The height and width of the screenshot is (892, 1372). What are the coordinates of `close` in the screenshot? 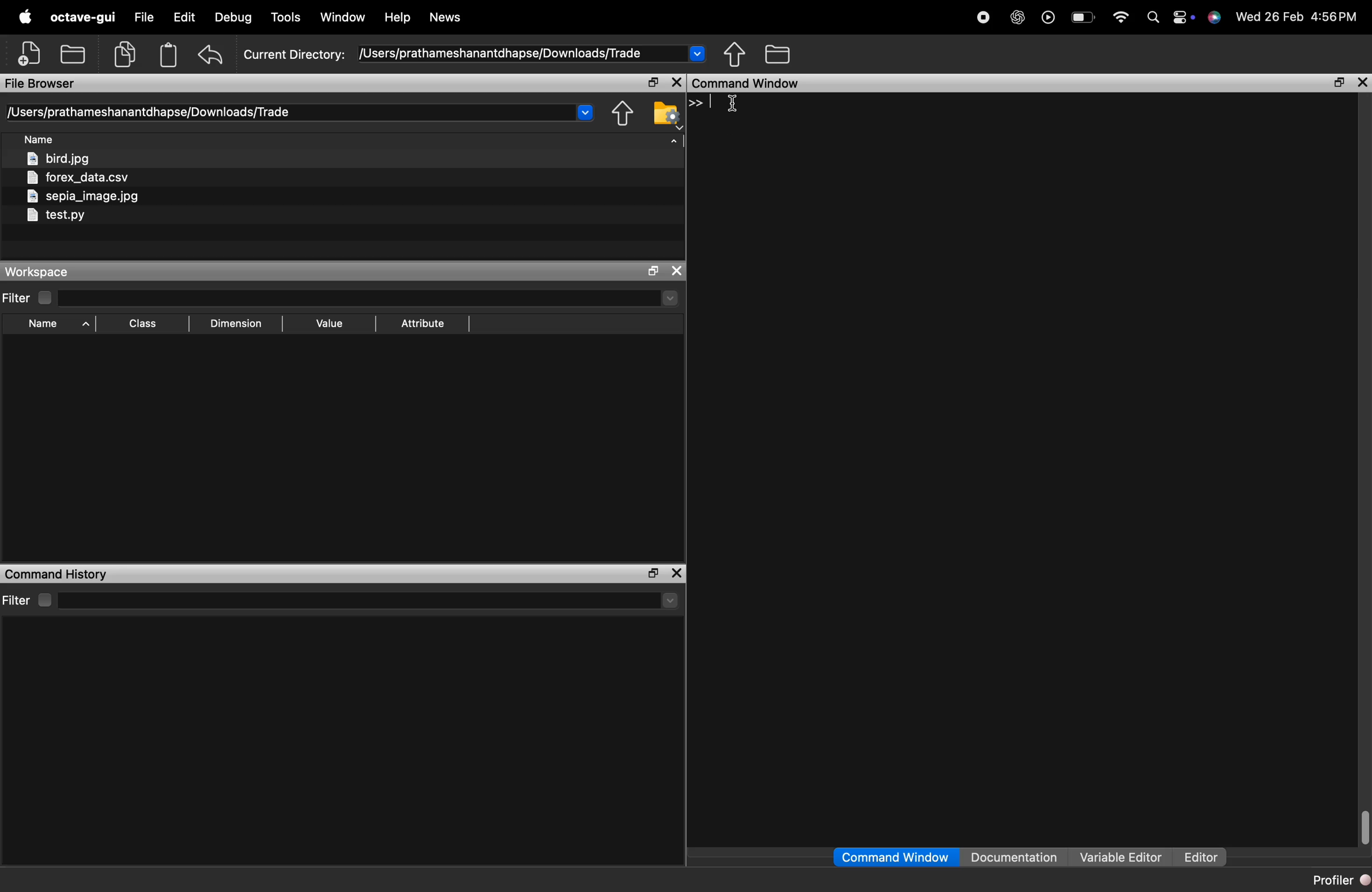 It's located at (678, 83).